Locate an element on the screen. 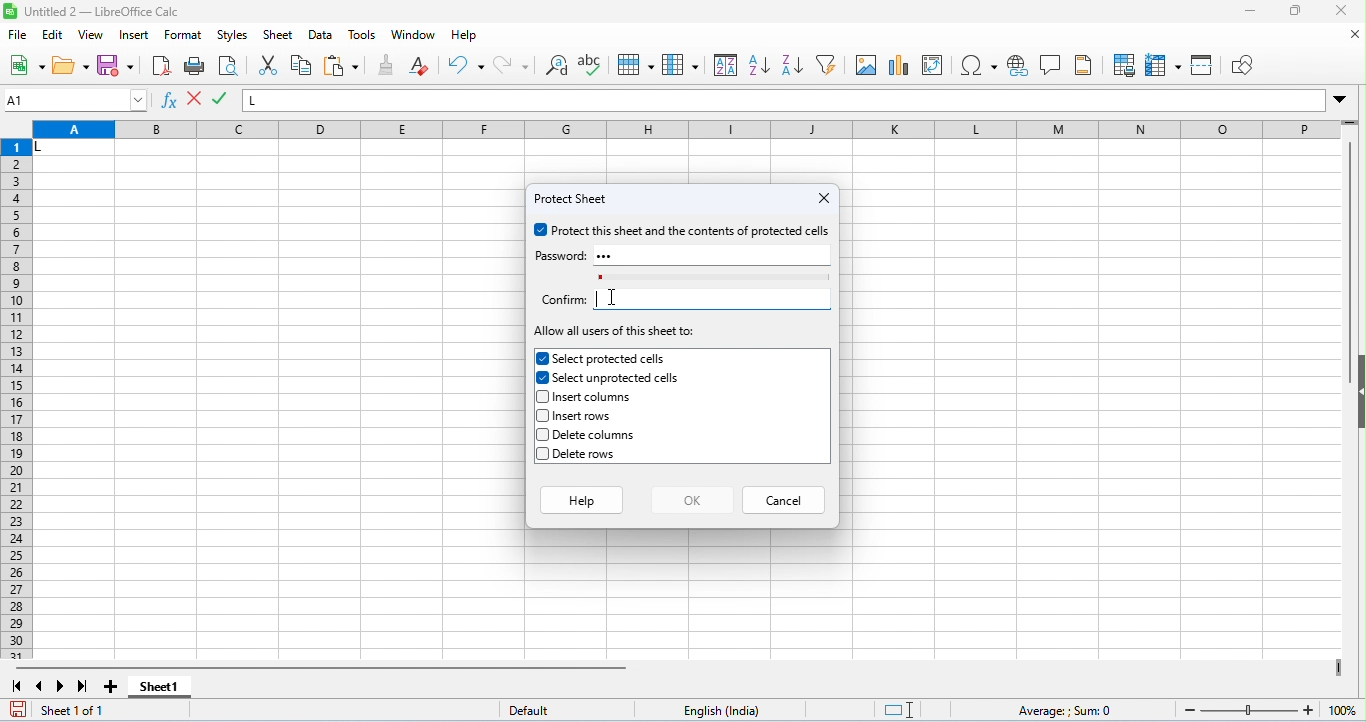 This screenshot has height=722, width=1366. close is located at coordinates (1355, 35).